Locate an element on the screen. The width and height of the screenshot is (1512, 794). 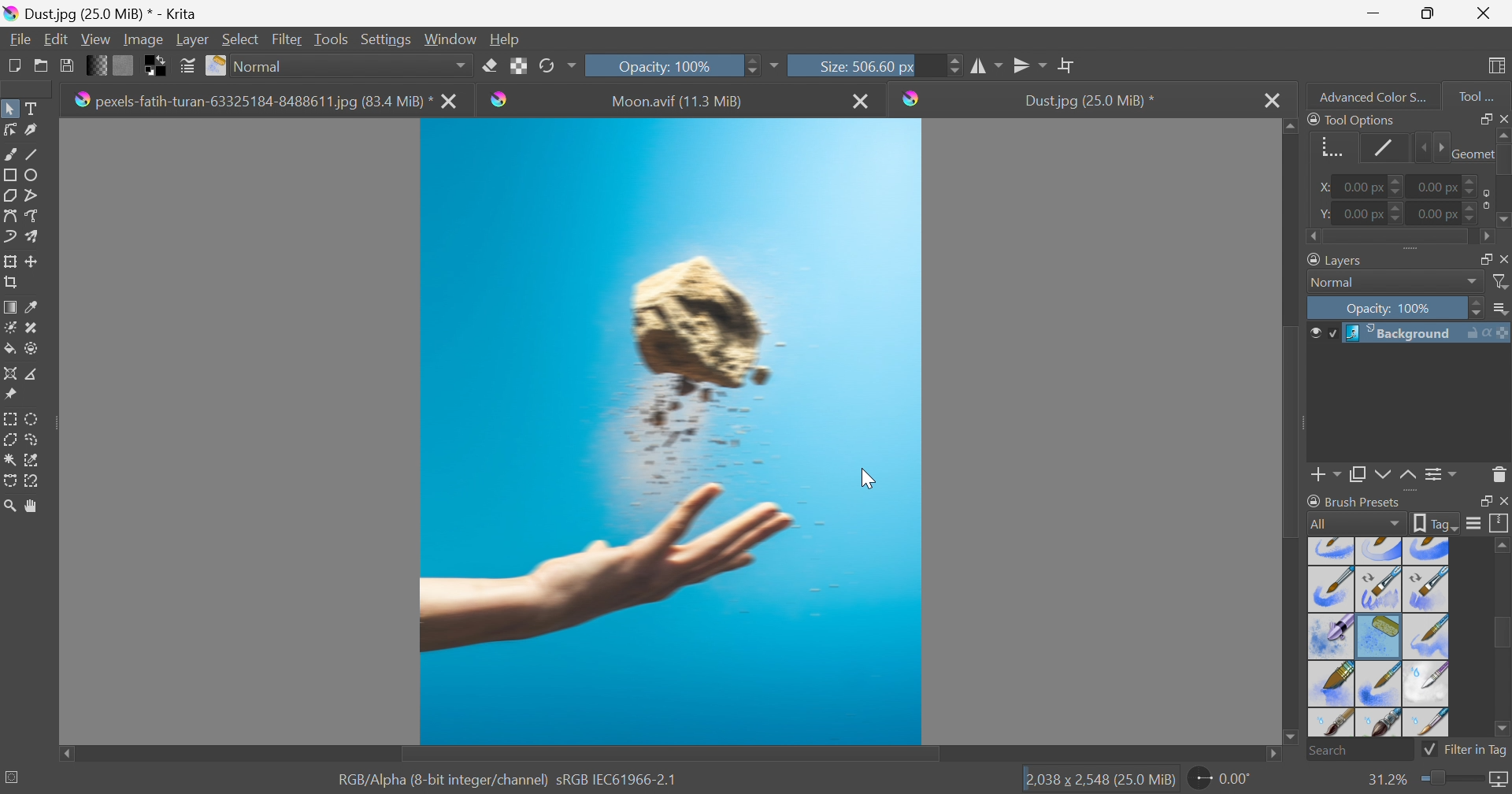
Bezier curve selection tool is located at coordinates (11, 460).